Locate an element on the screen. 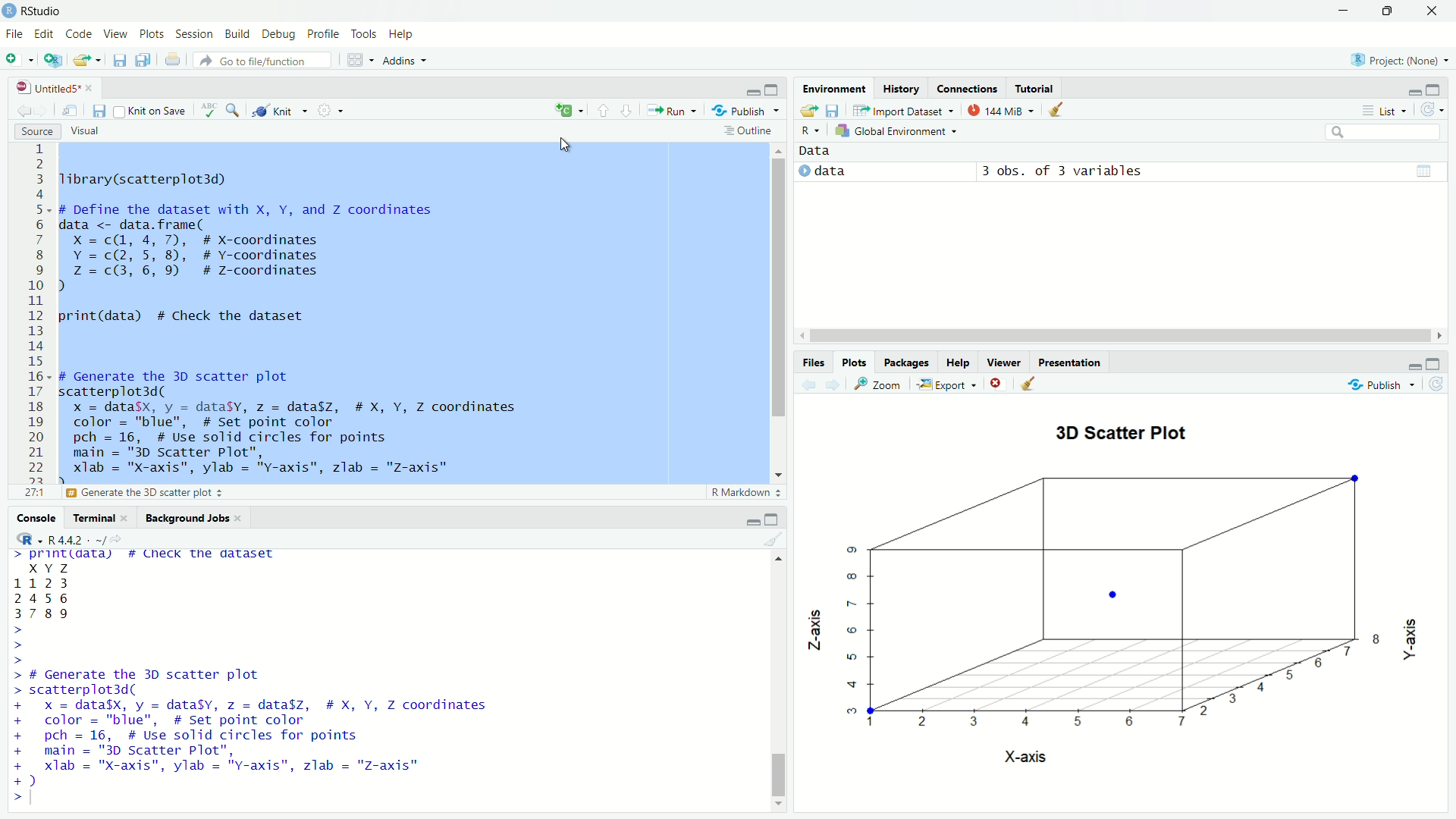 Image resolution: width=1456 pixels, height=819 pixels. save current document is located at coordinates (97, 111).